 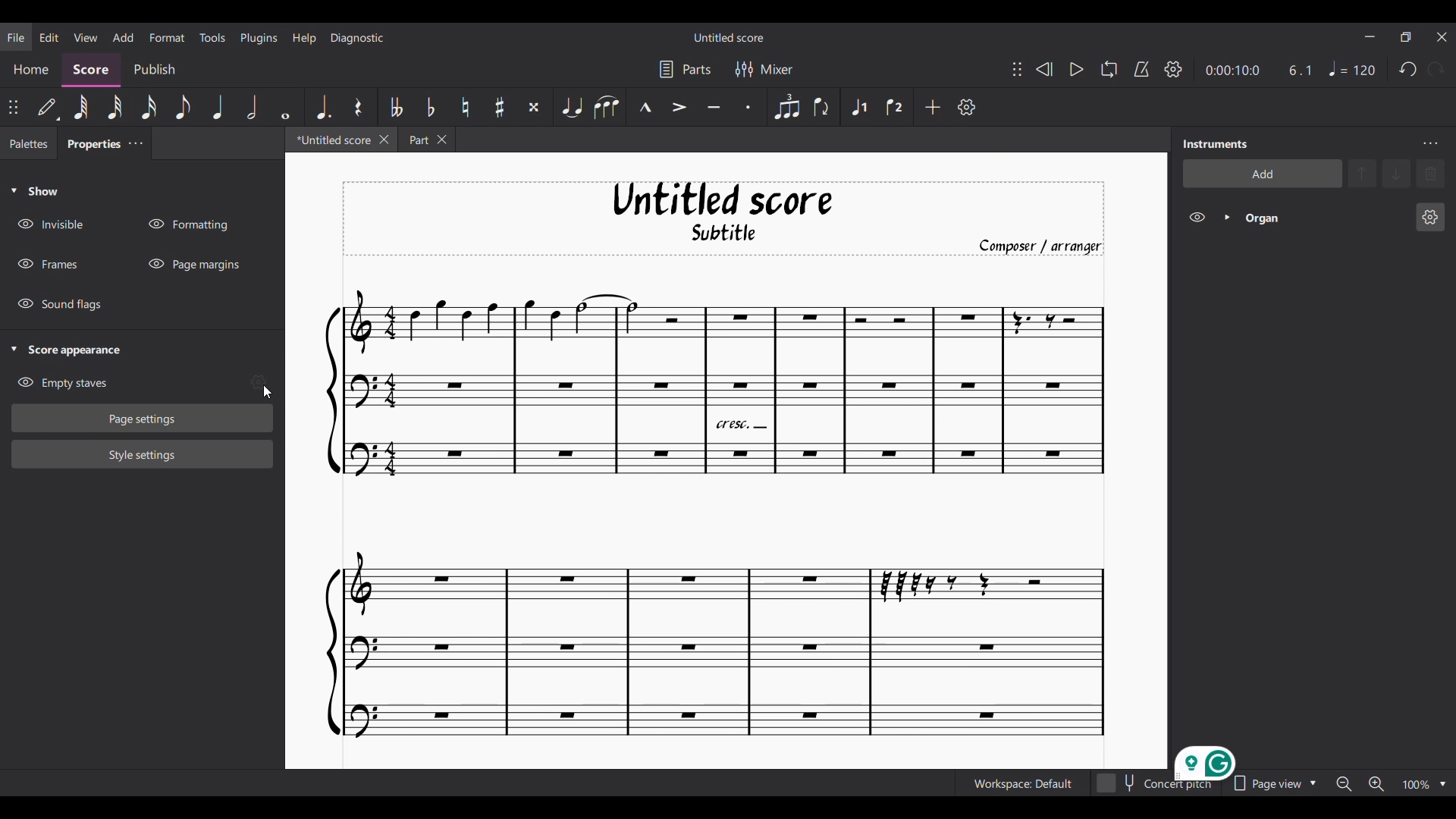 What do you see at coordinates (932, 106) in the screenshot?
I see `Add` at bounding box center [932, 106].